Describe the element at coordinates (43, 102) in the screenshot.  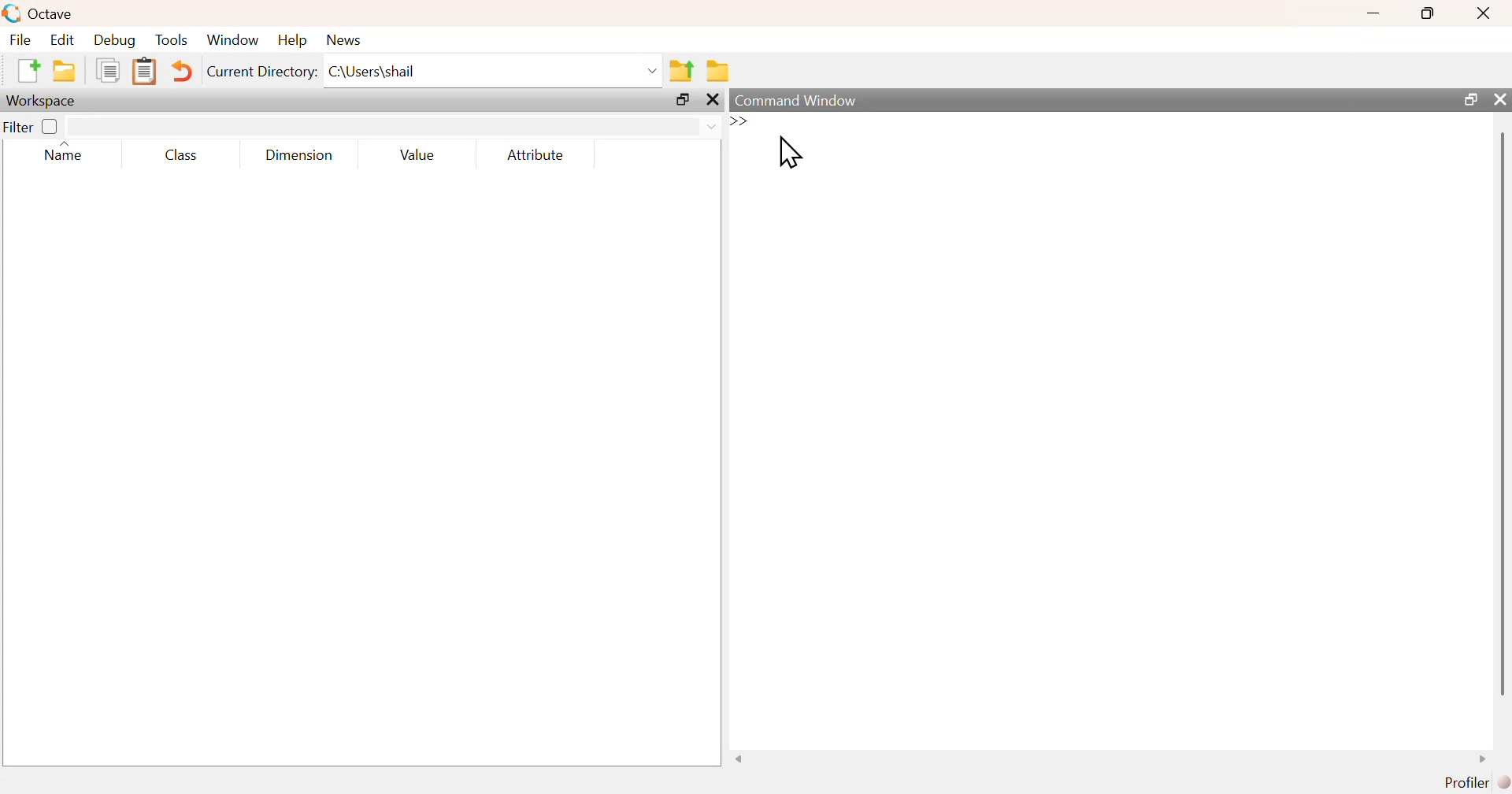
I see `Workspace` at that location.